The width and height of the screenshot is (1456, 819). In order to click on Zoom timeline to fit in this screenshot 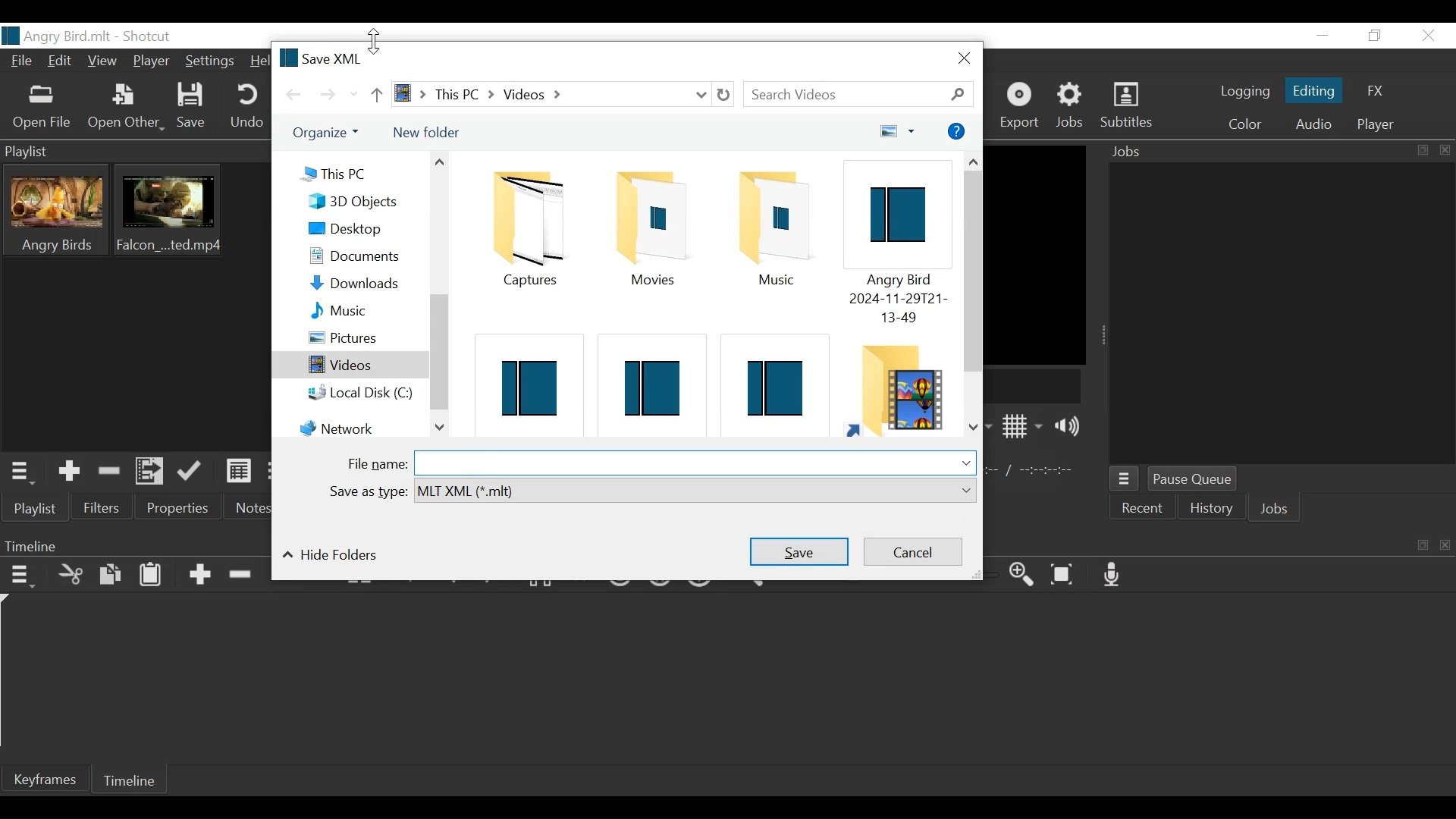, I will do `click(1067, 575)`.